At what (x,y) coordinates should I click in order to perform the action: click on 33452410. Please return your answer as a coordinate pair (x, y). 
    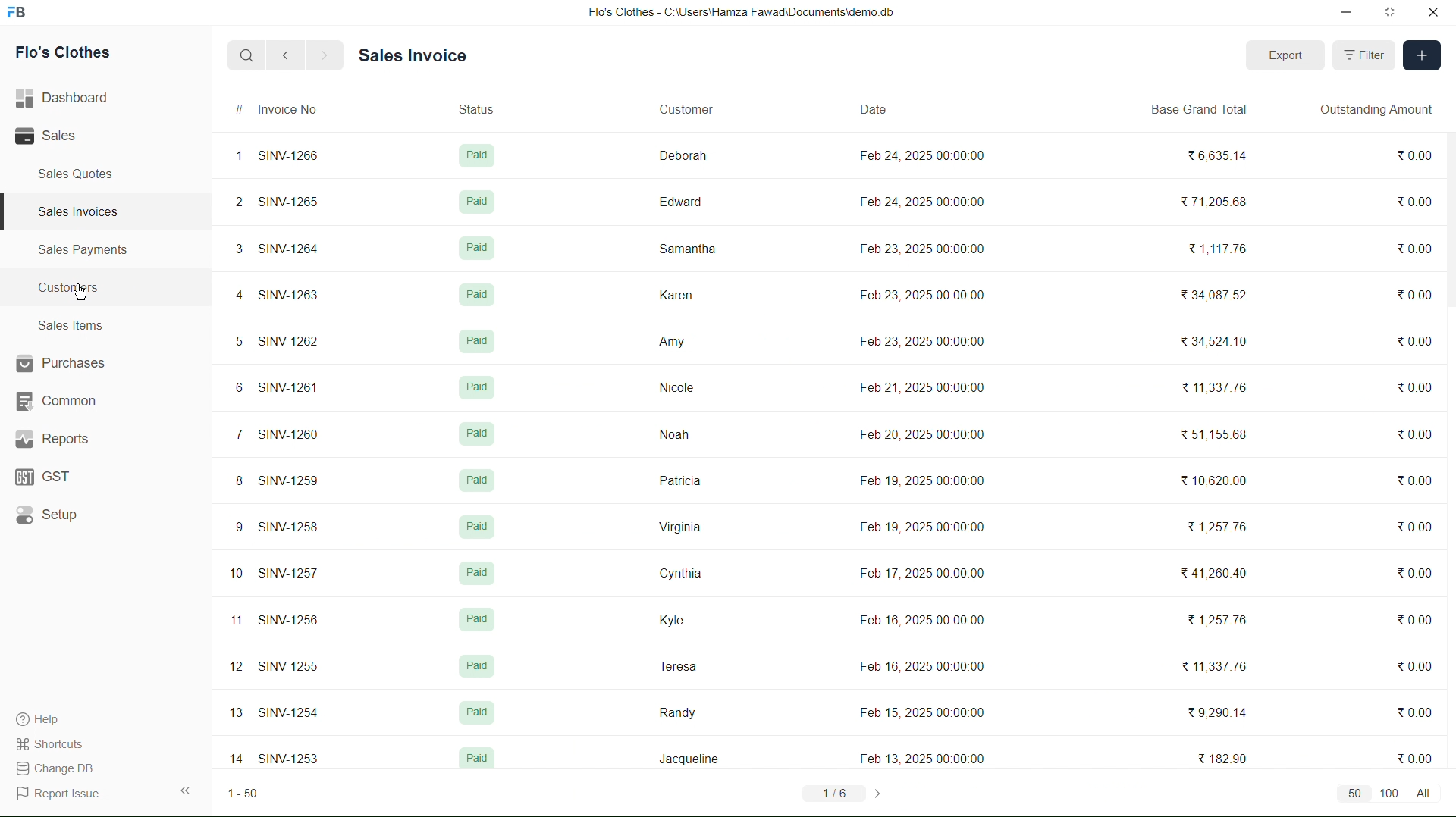
    Looking at the image, I should click on (1213, 341).